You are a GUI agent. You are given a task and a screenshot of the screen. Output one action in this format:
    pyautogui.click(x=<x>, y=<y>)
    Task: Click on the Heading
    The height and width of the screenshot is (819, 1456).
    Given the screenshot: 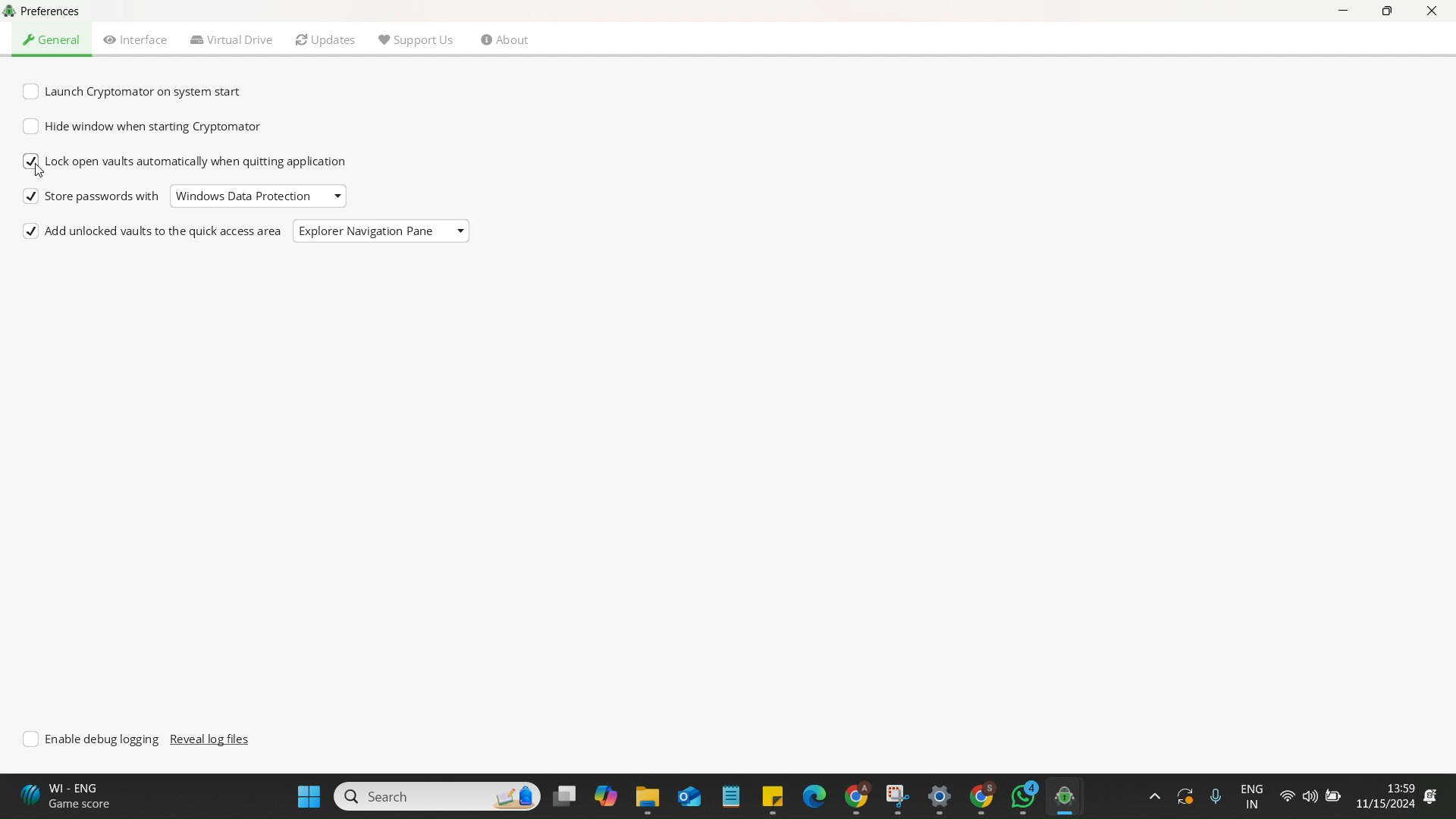 What is the action you would take?
    pyautogui.click(x=61, y=11)
    